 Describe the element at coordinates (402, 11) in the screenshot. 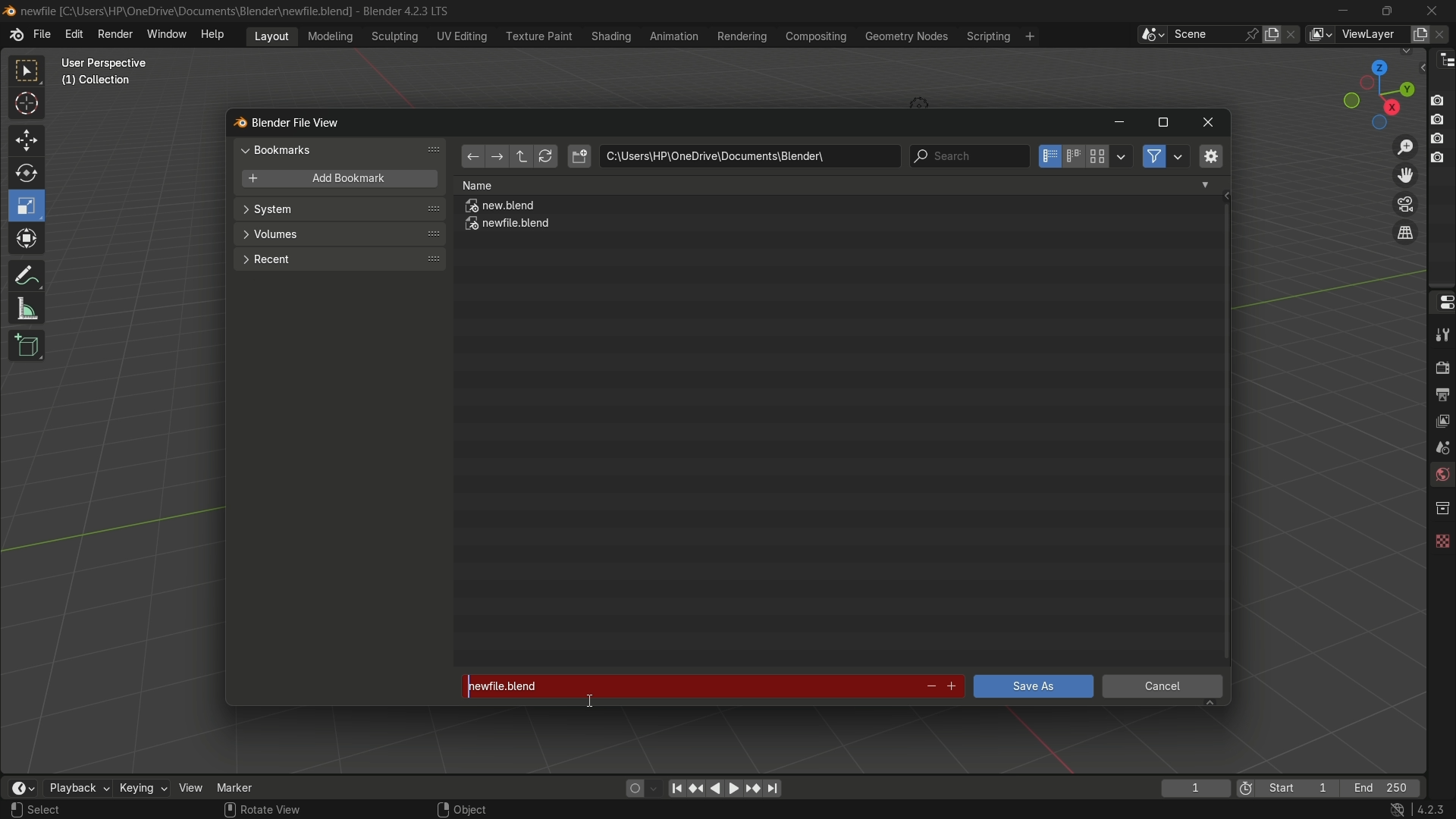

I see `Blender 4.2.3` at that location.